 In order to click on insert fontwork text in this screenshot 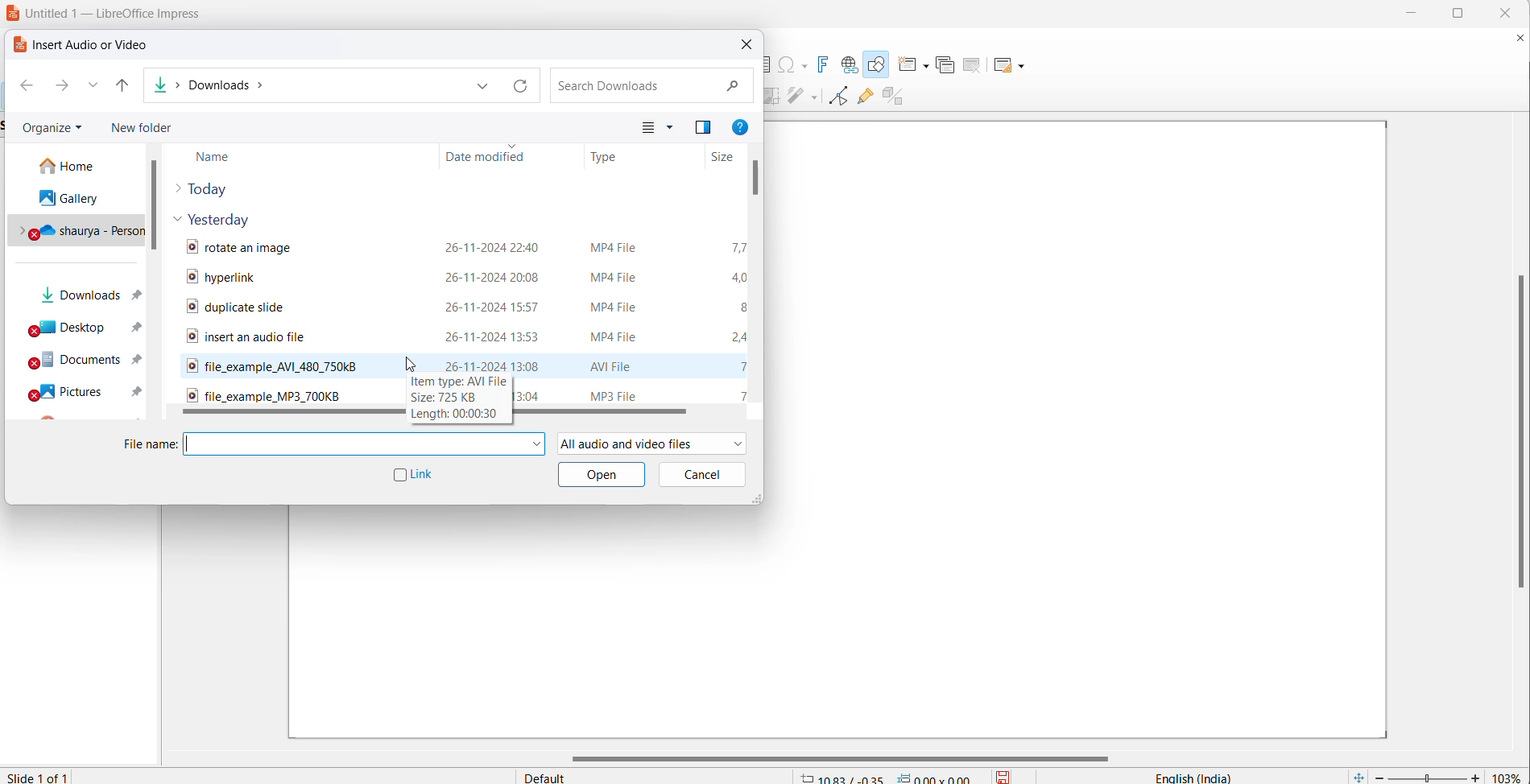, I will do `click(827, 65)`.